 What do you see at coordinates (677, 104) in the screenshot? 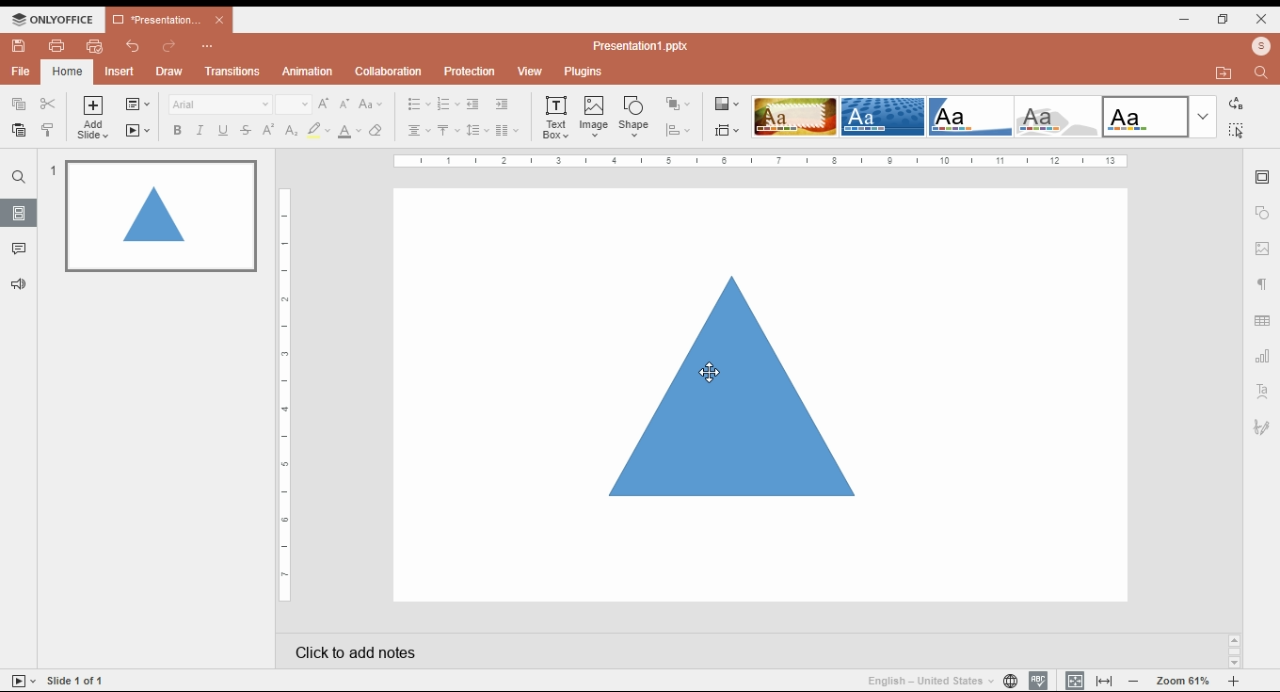
I see `arrange objects` at bounding box center [677, 104].